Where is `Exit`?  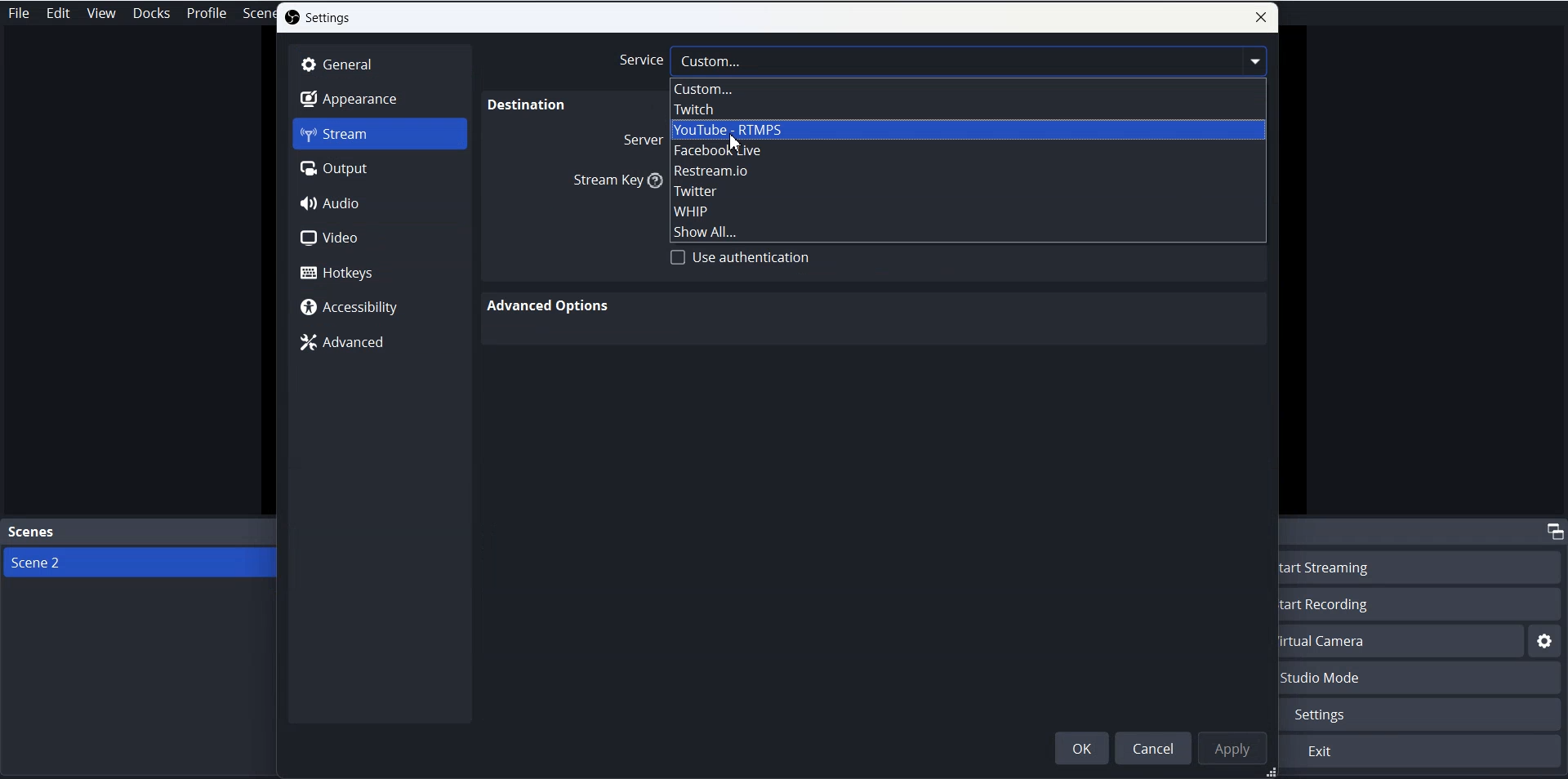
Exit is located at coordinates (1422, 752).